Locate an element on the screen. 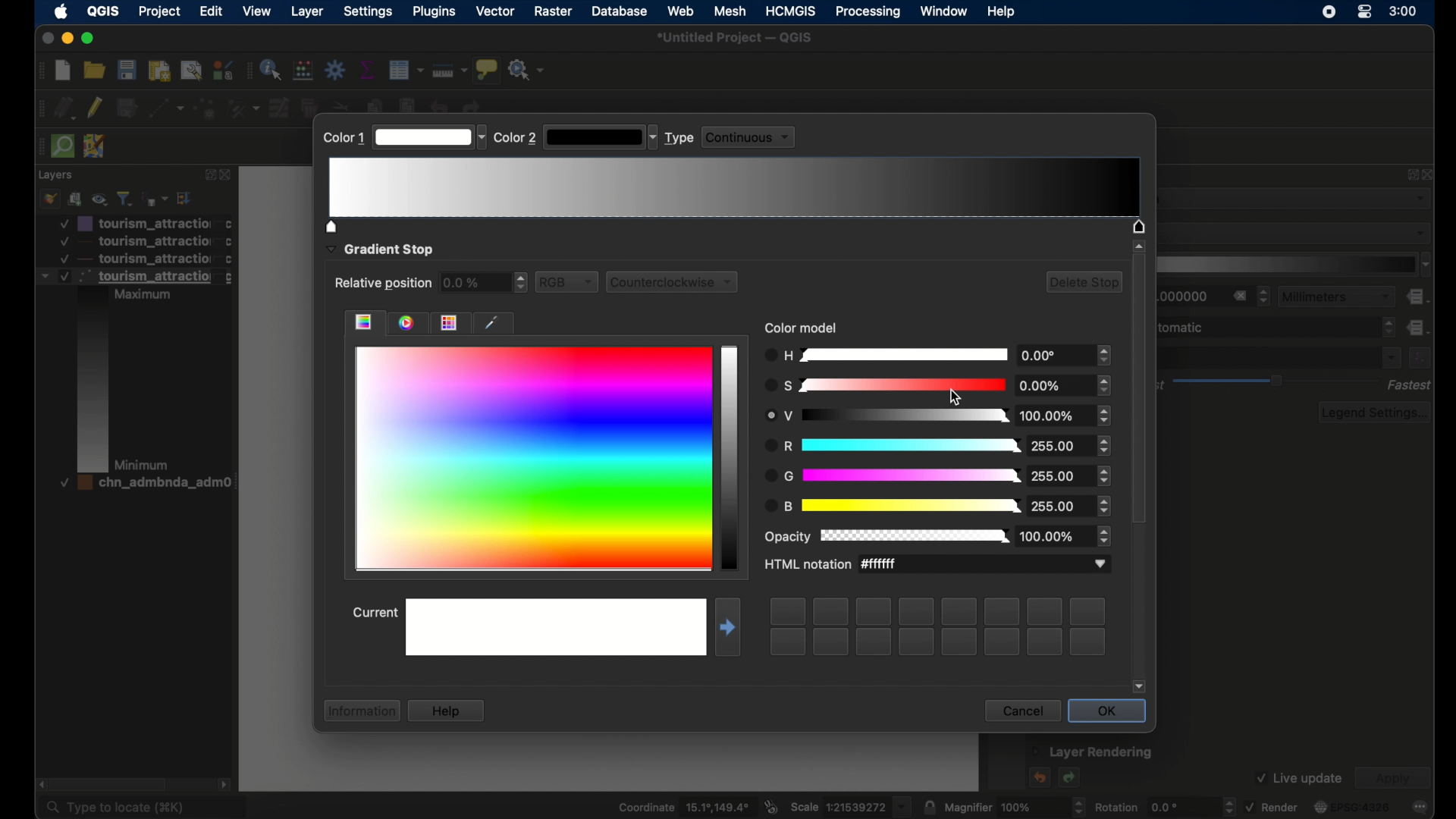 This screenshot has width=1456, height=819. maximum value dropdown is located at coordinates (1276, 328).